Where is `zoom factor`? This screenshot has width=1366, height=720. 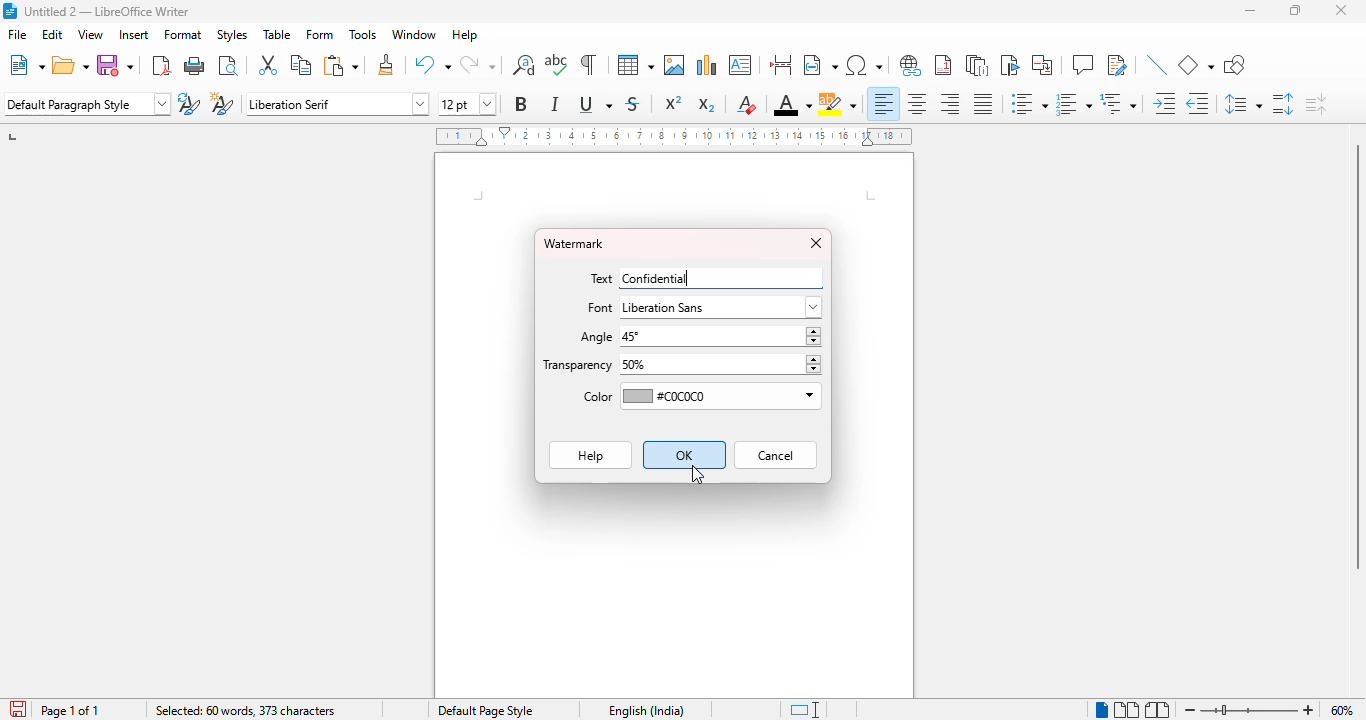 zoom factor is located at coordinates (1342, 710).